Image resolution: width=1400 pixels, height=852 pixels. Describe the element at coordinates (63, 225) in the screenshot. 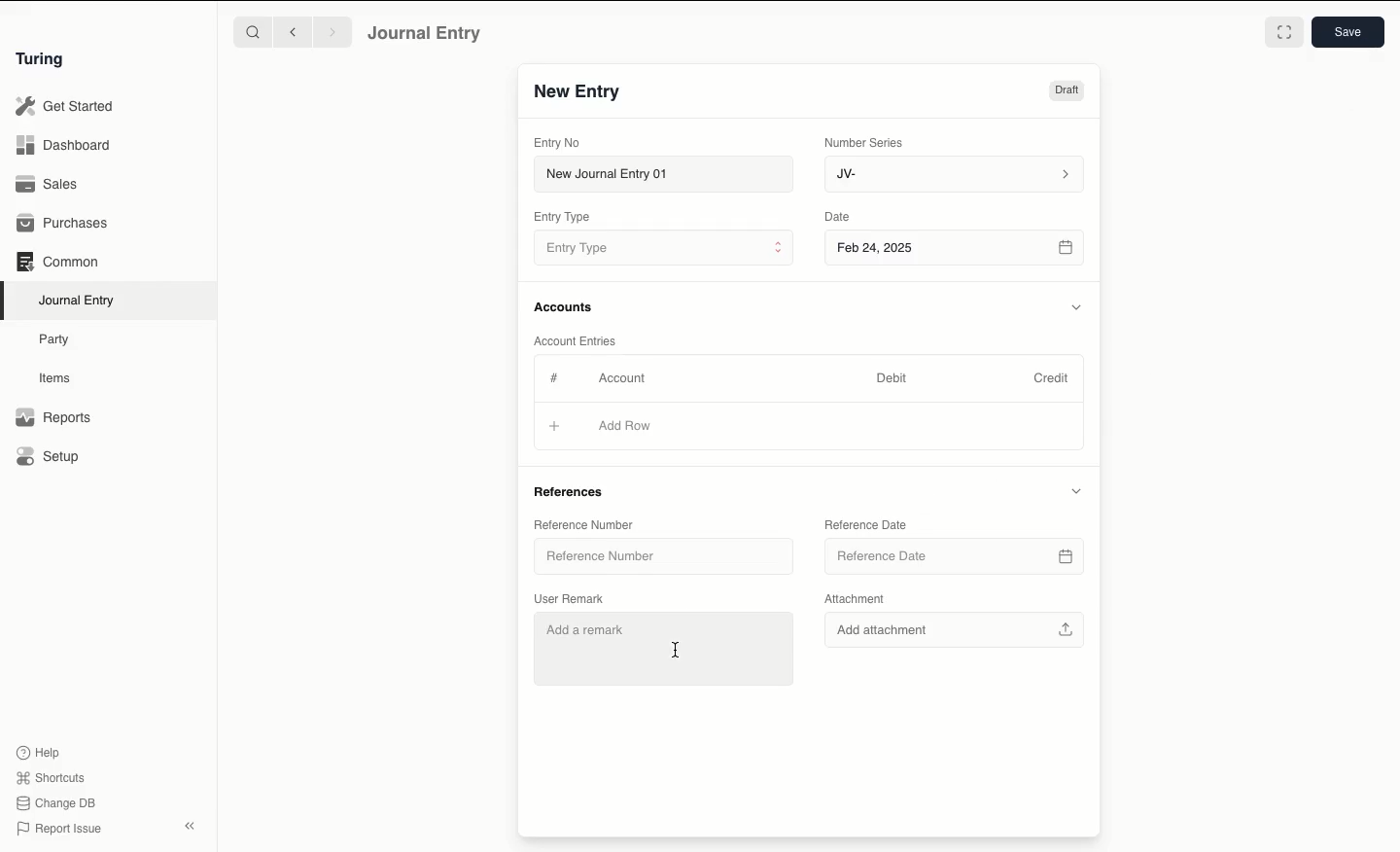

I see `Purchases` at that location.